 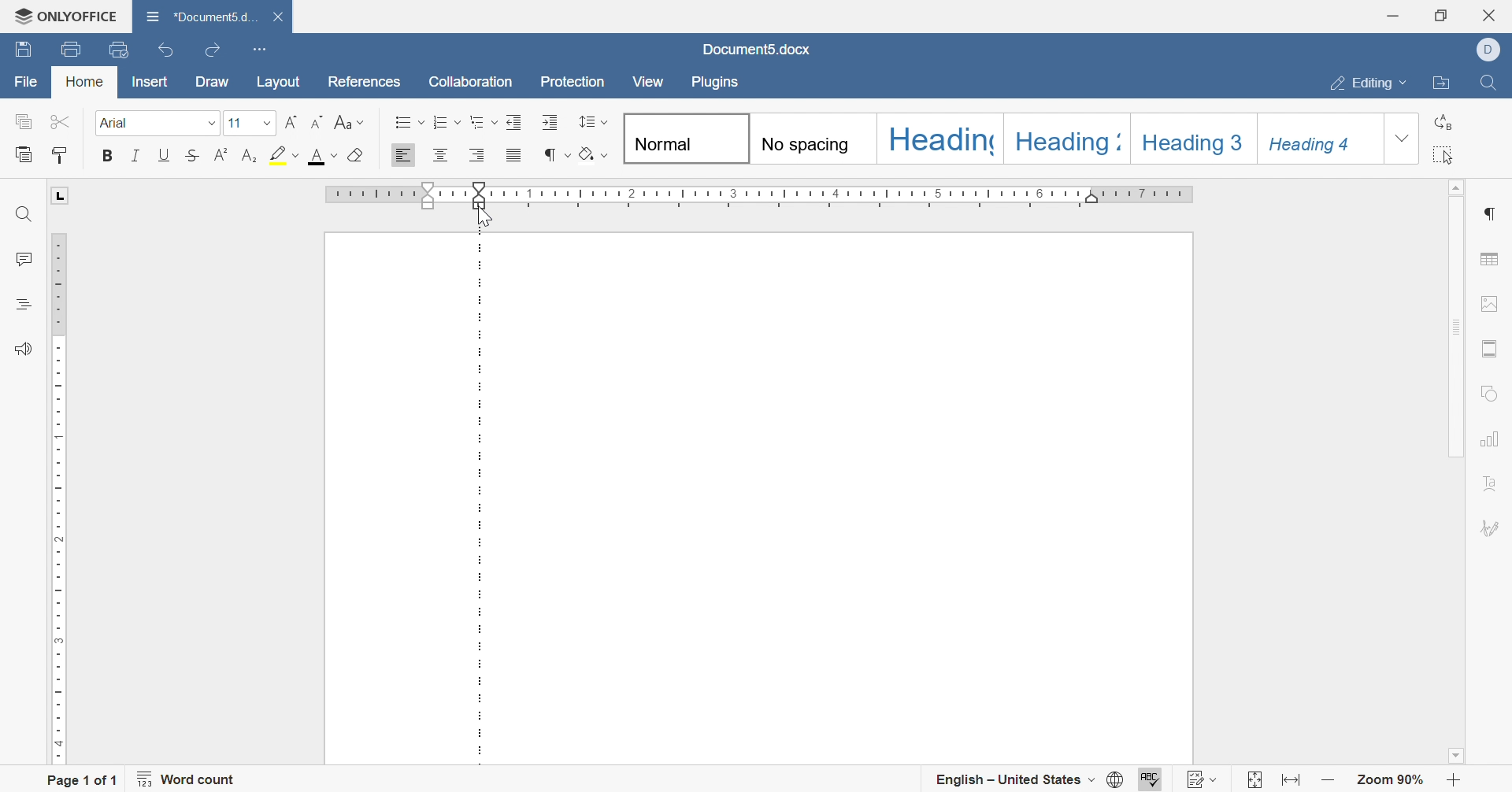 What do you see at coordinates (83, 82) in the screenshot?
I see `home` at bounding box center [83, 82].